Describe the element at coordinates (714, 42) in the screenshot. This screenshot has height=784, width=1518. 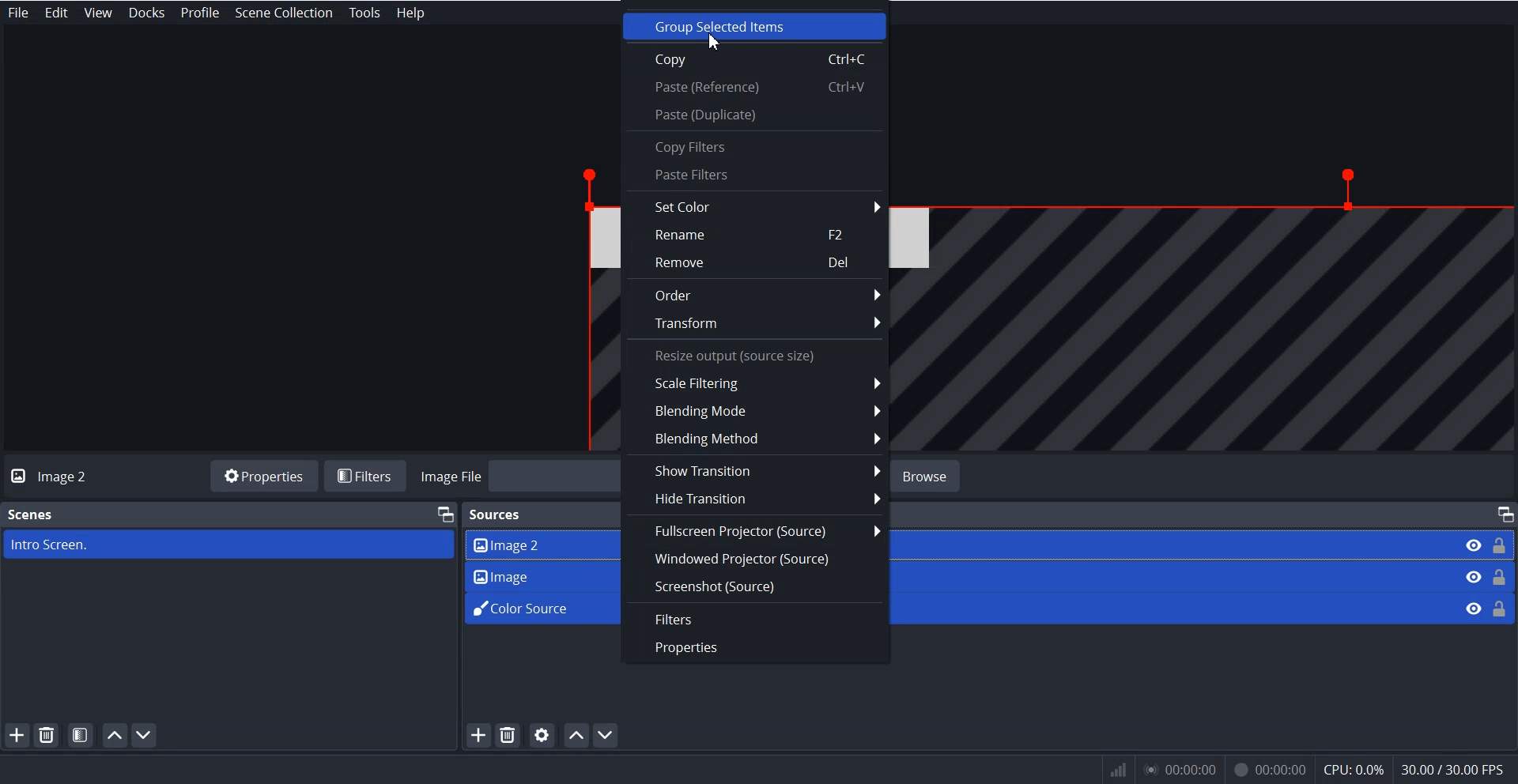
I see `Cursor` at that location.